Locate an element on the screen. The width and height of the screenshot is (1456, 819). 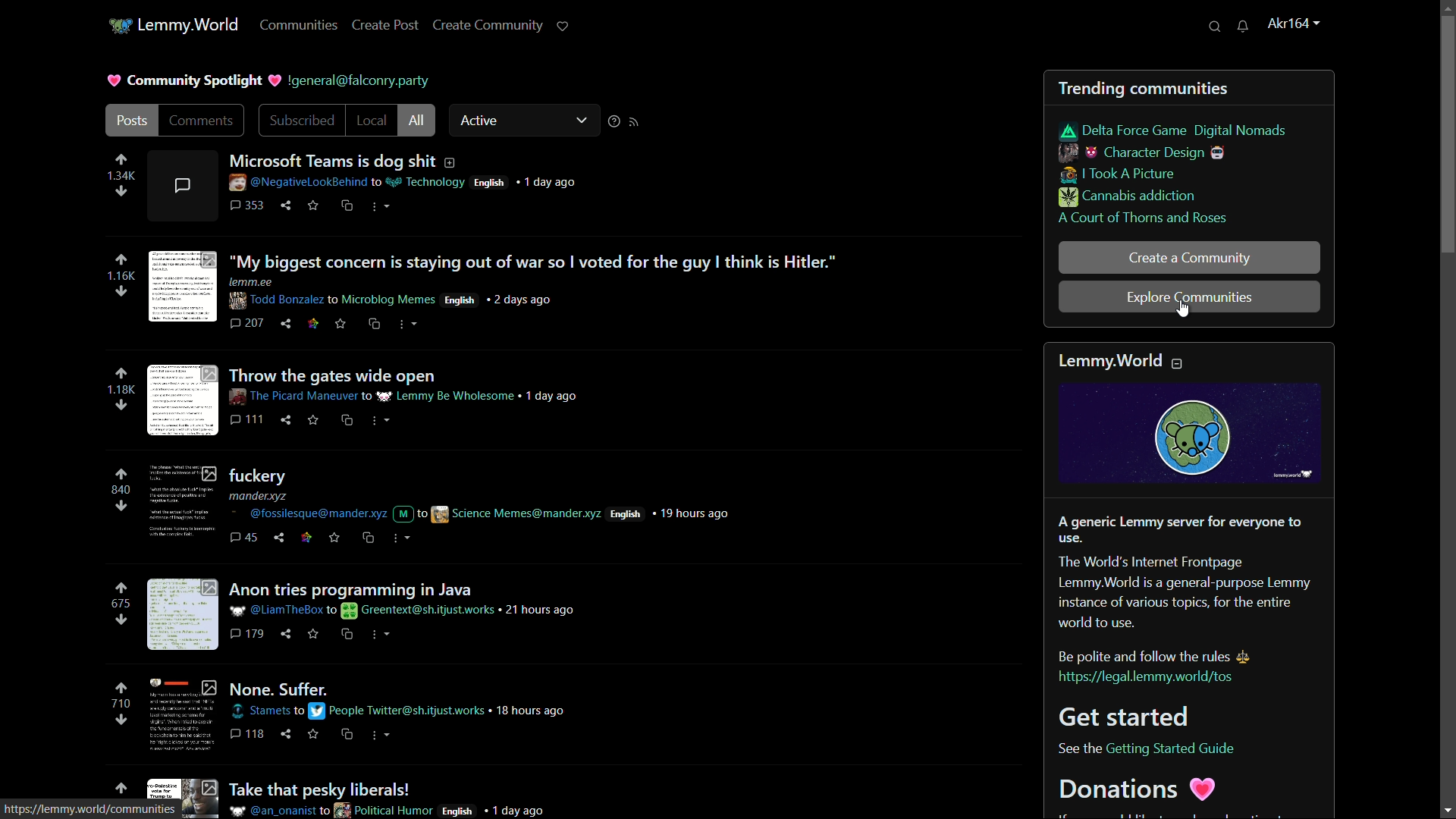
username is located at coordinates (1295, 24).